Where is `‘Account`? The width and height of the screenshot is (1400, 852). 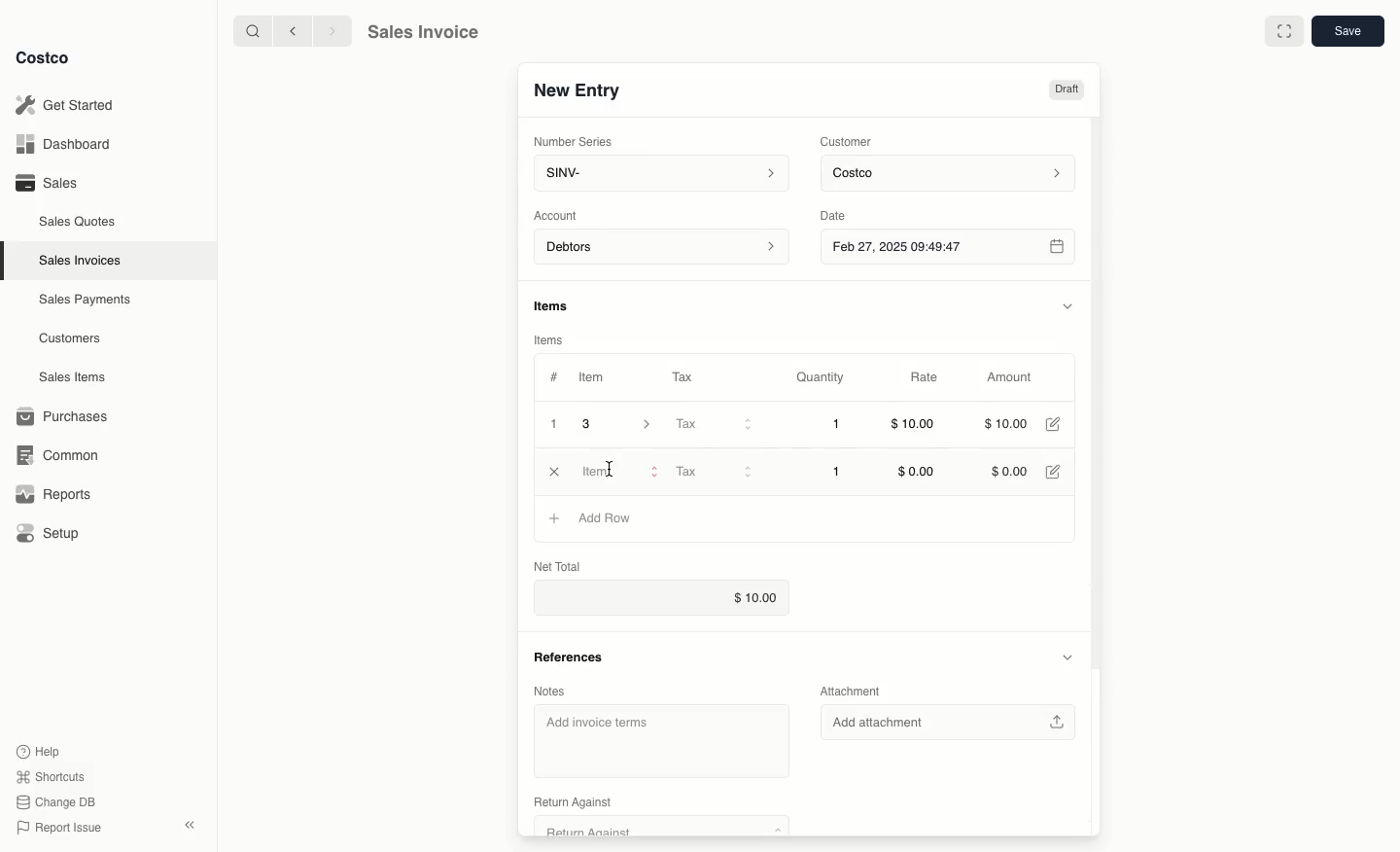
‘Account is located at coordinates (559, 214).